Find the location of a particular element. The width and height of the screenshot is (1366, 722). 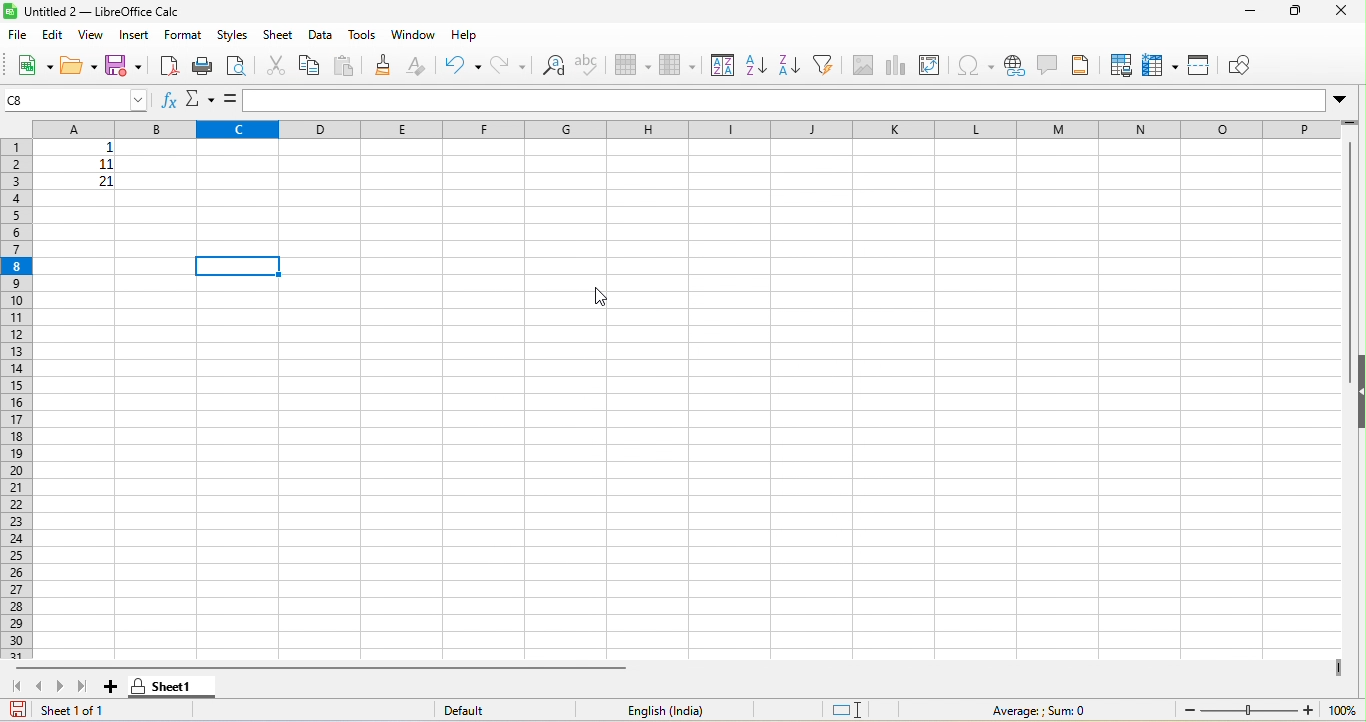

chart is located at coordinates (907, 65).